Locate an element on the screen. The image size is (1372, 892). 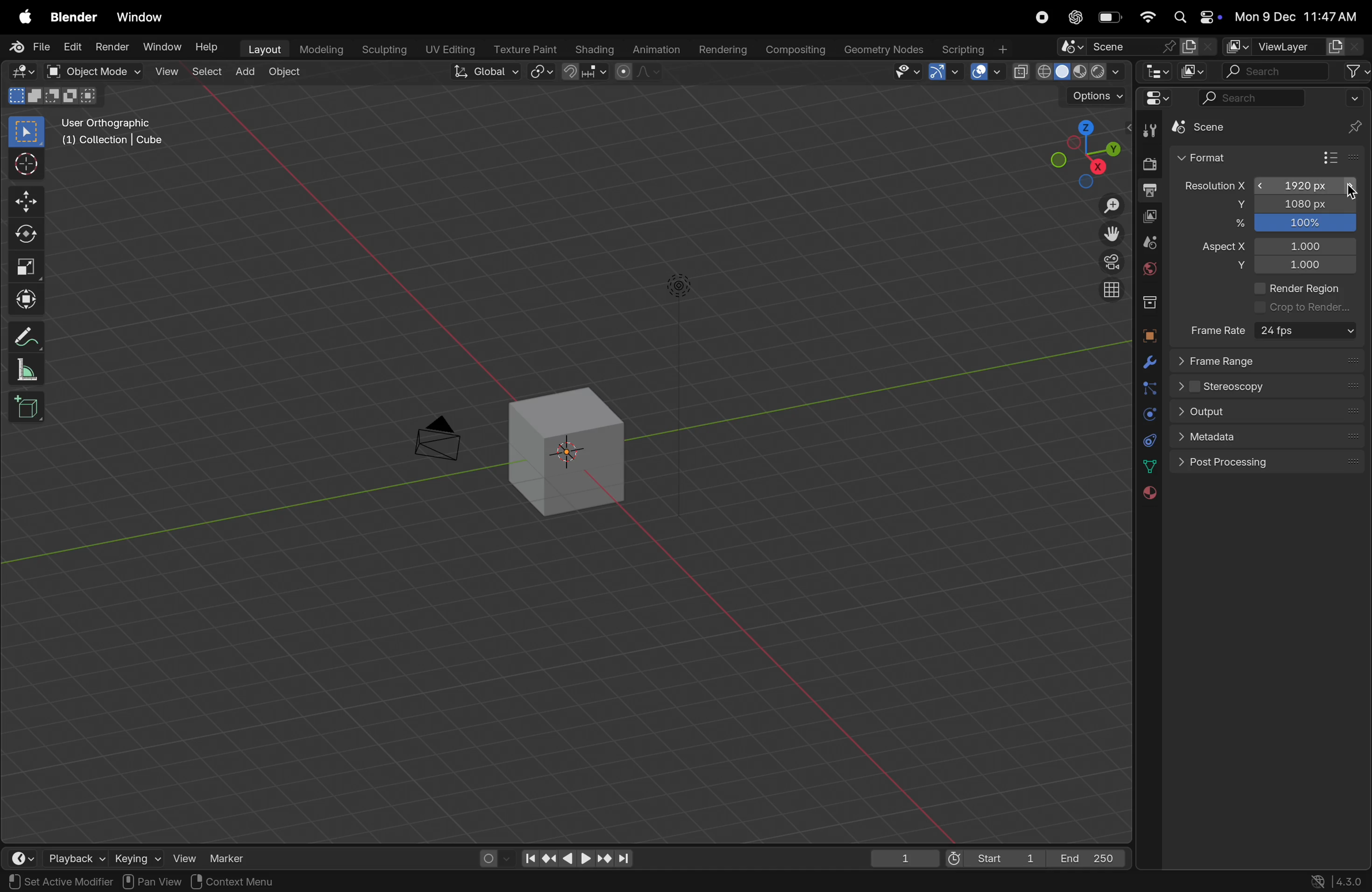
frame range is located at coordinates (1268, 362).